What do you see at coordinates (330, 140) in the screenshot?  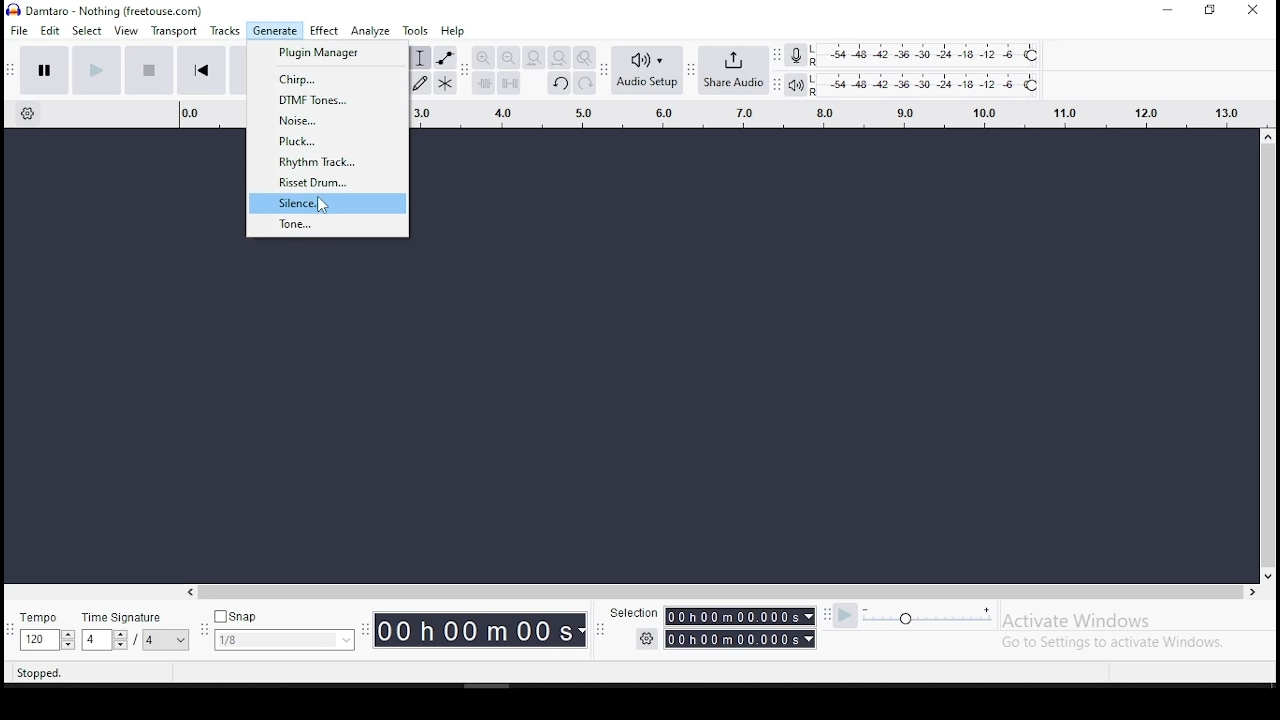 I see `pluck` at bounding box center [330, 140].